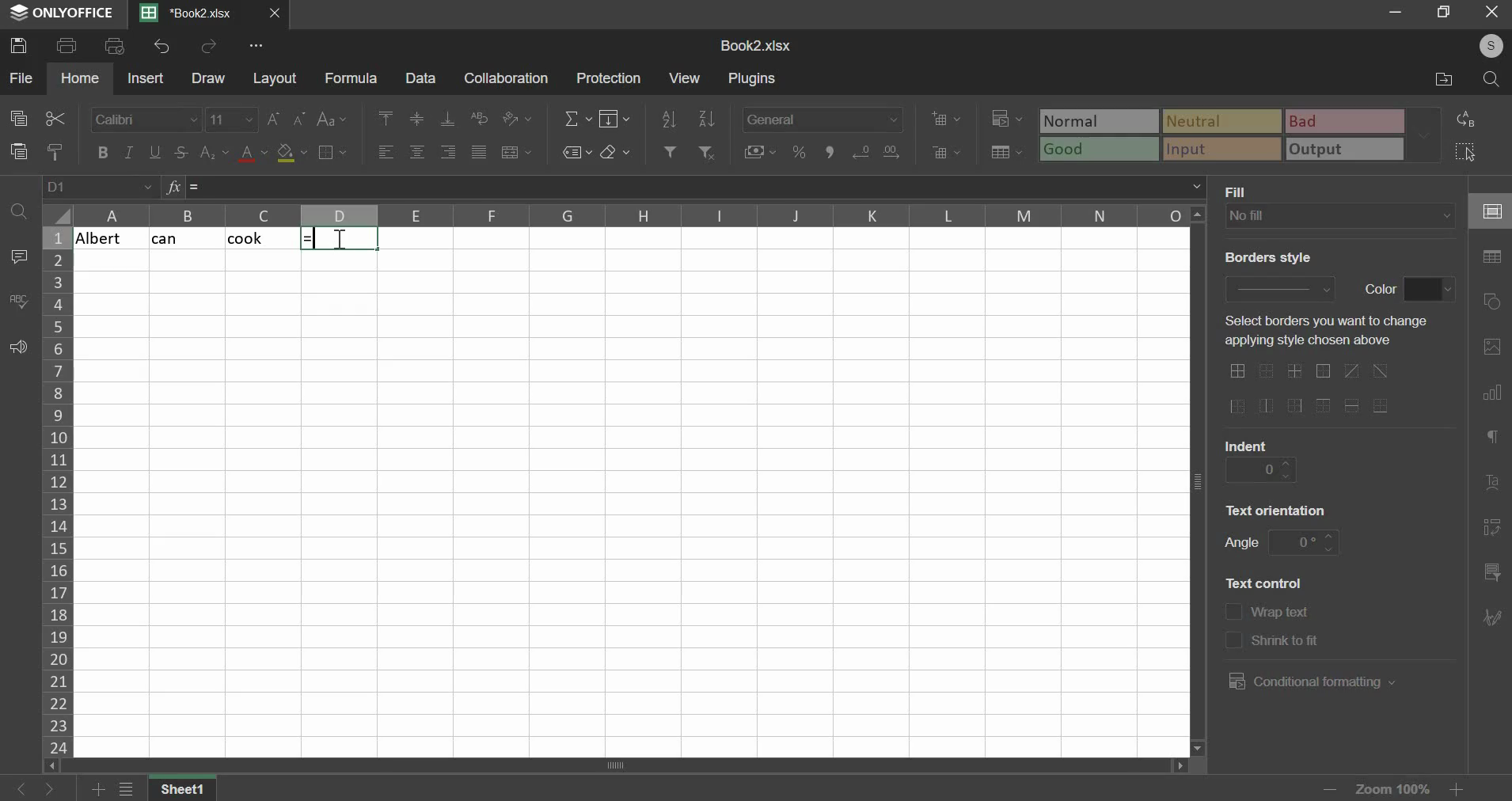 Image resolution: width=1512 pixels, height=801 pixels. Describe the element at coordinates (1201, 480) in the screenshot. I see `vertical scroll bar` at that location.